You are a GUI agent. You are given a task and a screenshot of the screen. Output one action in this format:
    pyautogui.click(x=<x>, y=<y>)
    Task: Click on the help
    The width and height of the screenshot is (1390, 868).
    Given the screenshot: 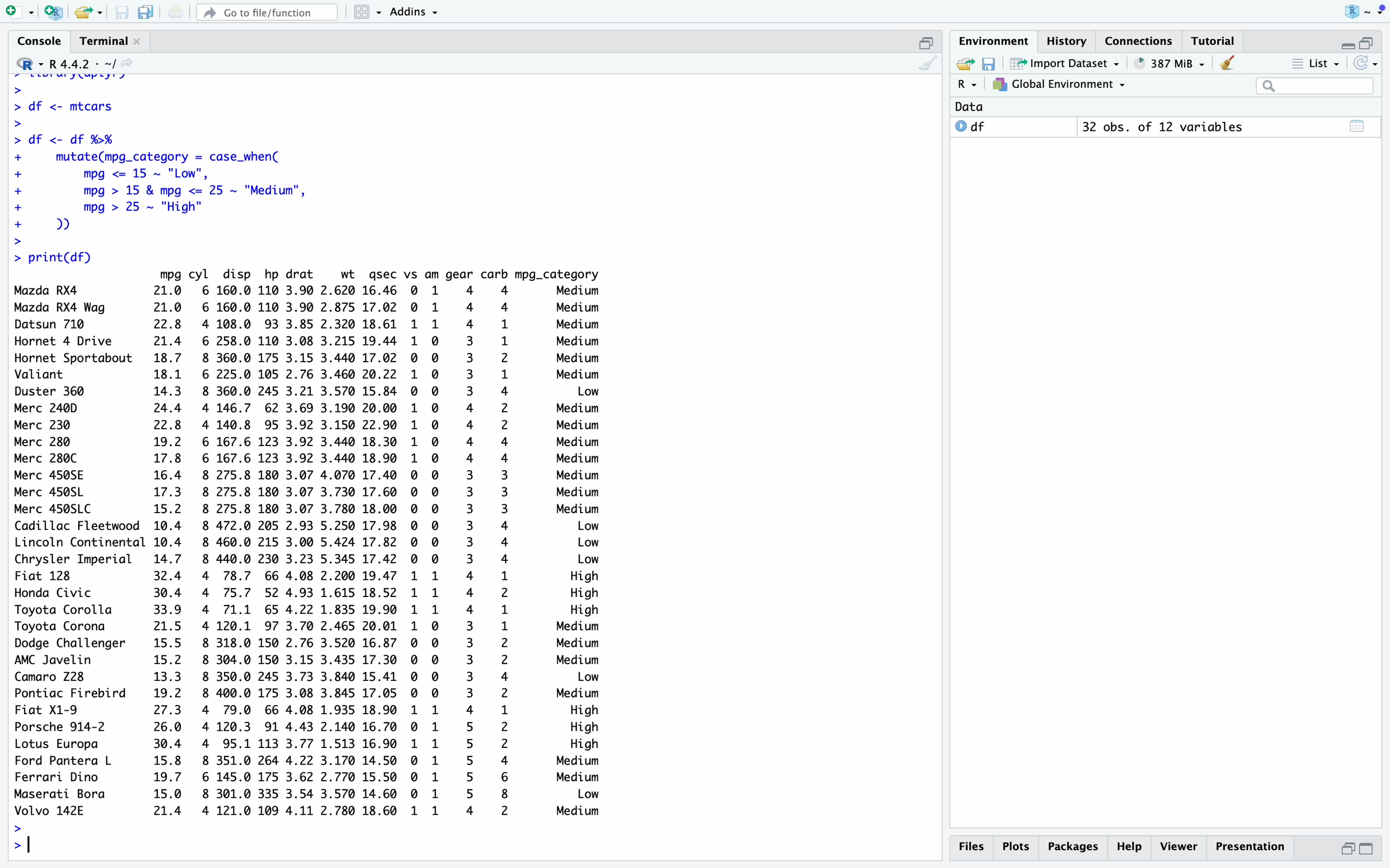 What is the action you would take?
    pyautogui.click(x=1130, y=848)
    